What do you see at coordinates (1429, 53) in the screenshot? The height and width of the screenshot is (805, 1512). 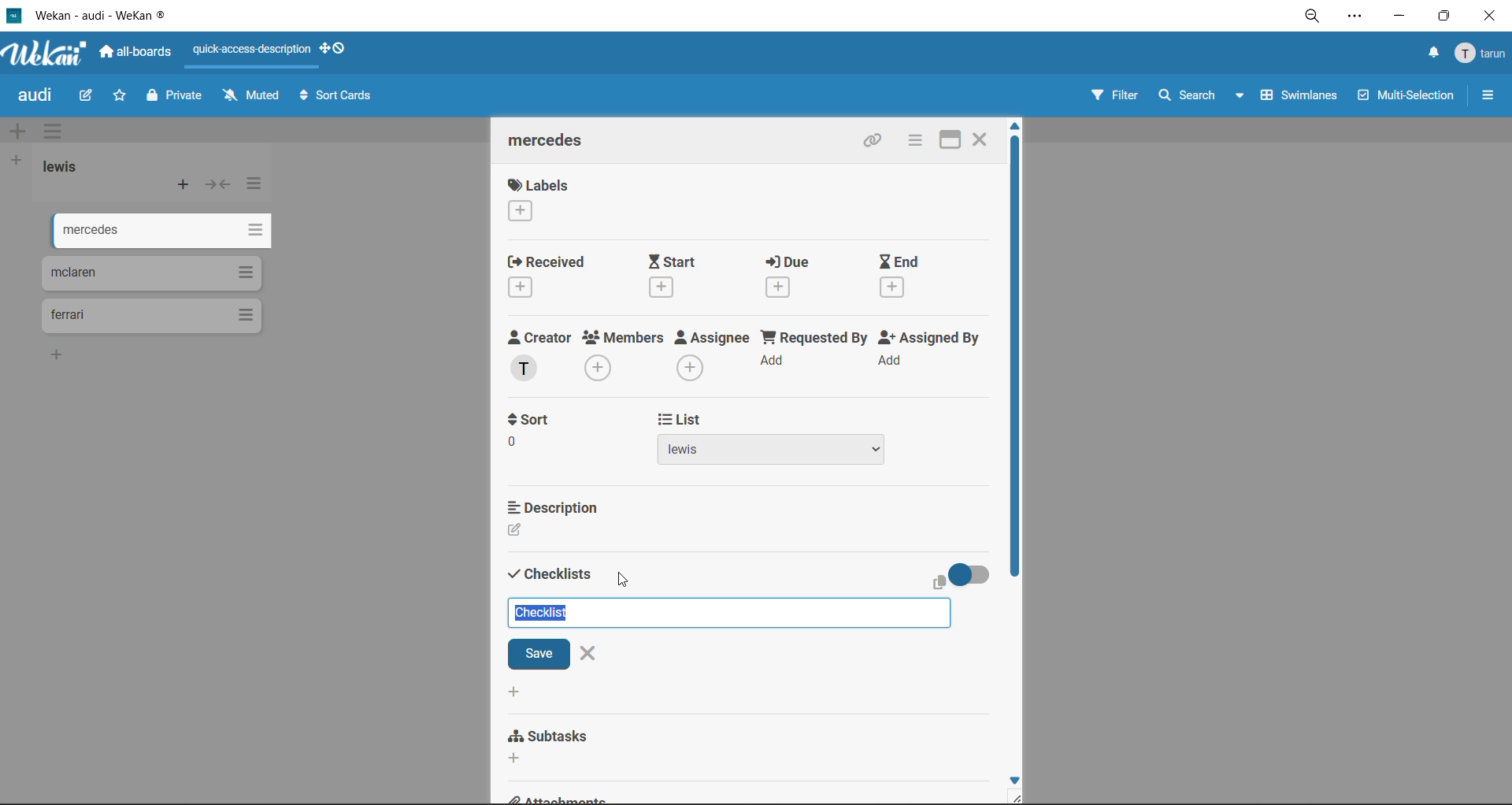 I see `notifications` at bounding box center [1429, 53].